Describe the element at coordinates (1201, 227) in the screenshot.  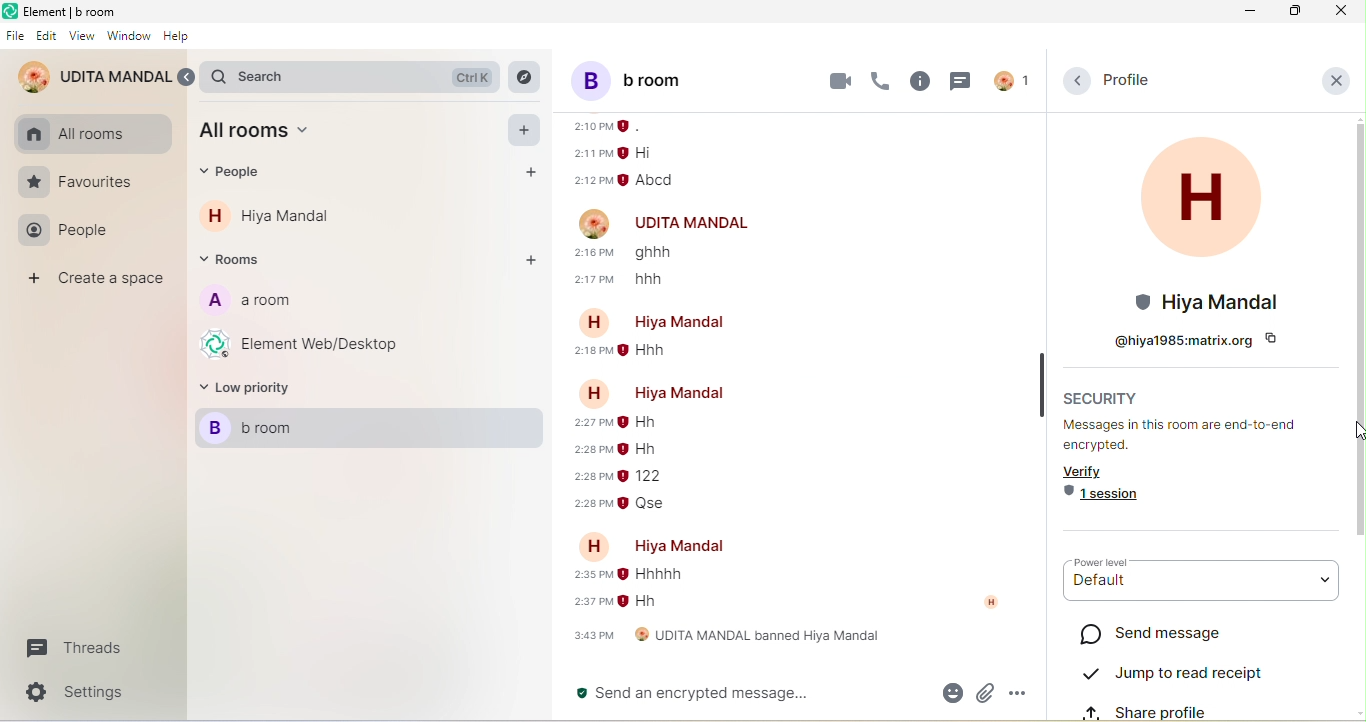
I see `hiya mandal` at that location.